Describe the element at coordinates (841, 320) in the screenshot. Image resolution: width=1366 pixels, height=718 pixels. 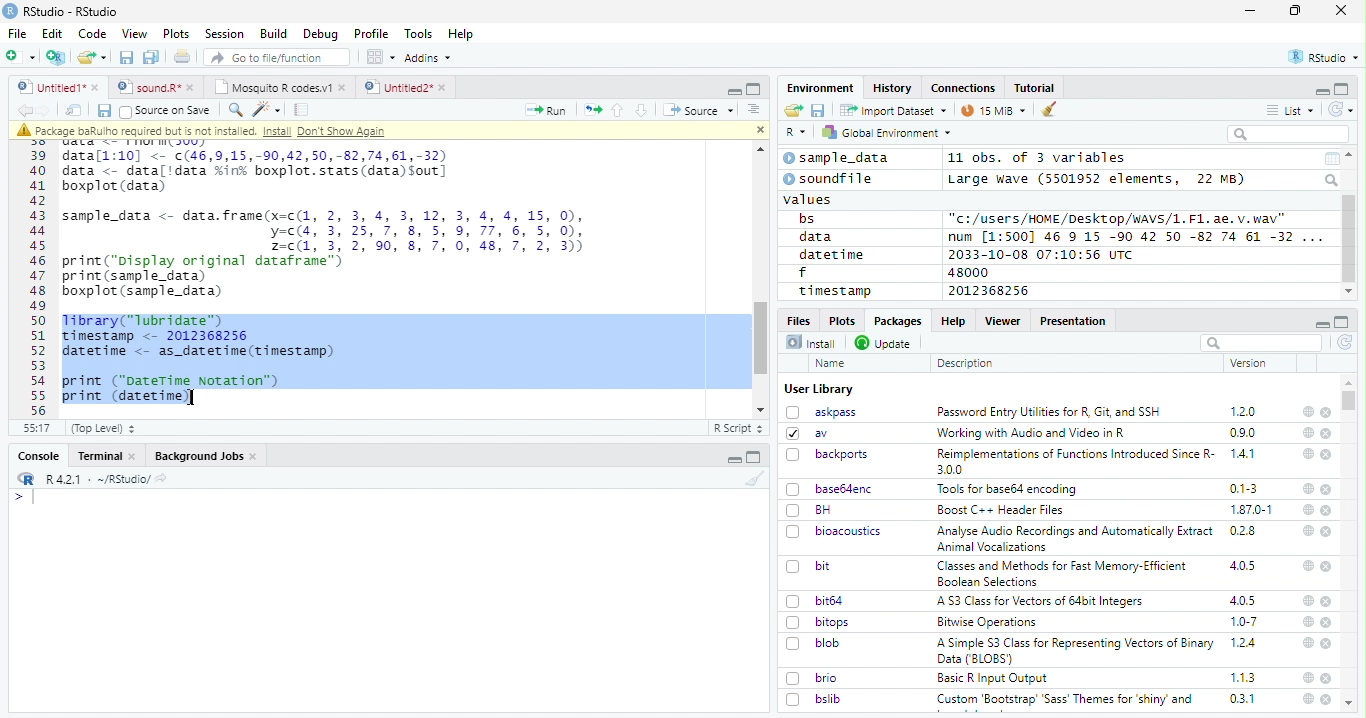
I see `Plots` at that location.